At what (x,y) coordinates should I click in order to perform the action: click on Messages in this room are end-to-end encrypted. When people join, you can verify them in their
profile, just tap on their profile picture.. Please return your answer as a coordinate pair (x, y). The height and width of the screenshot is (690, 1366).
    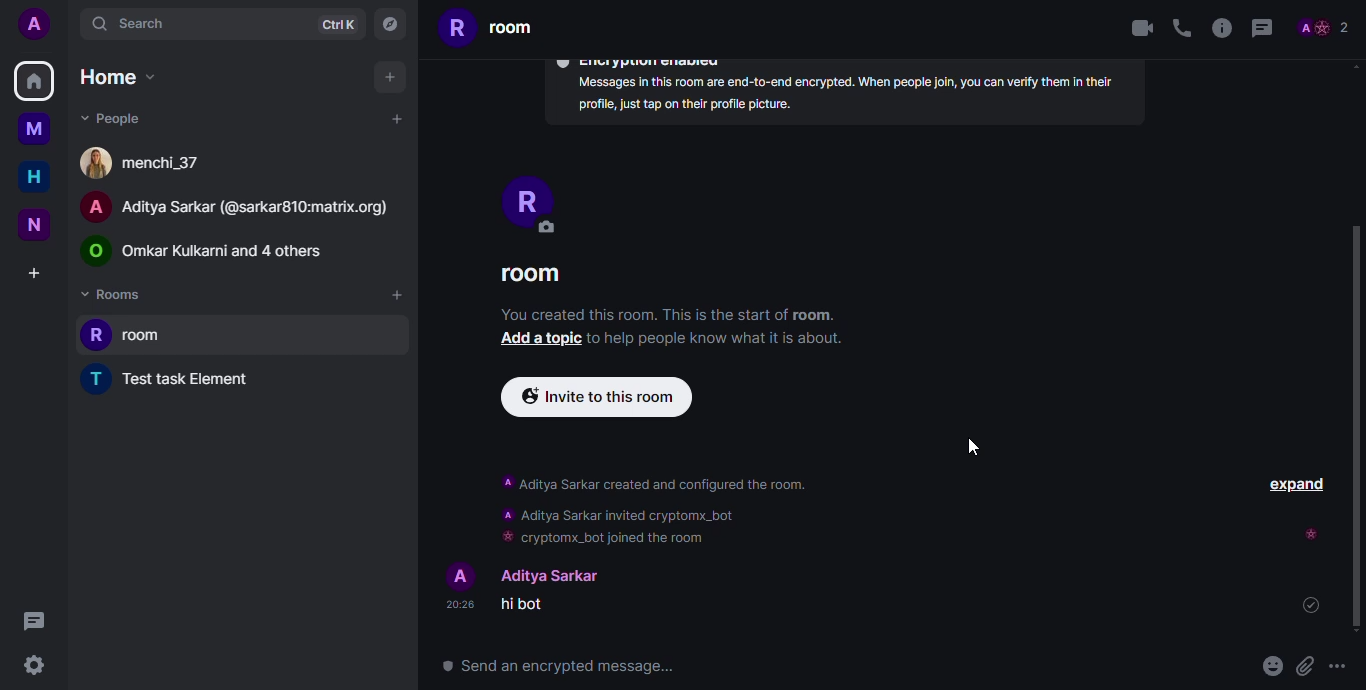
    Looking at the image, I should click on (842, 94).